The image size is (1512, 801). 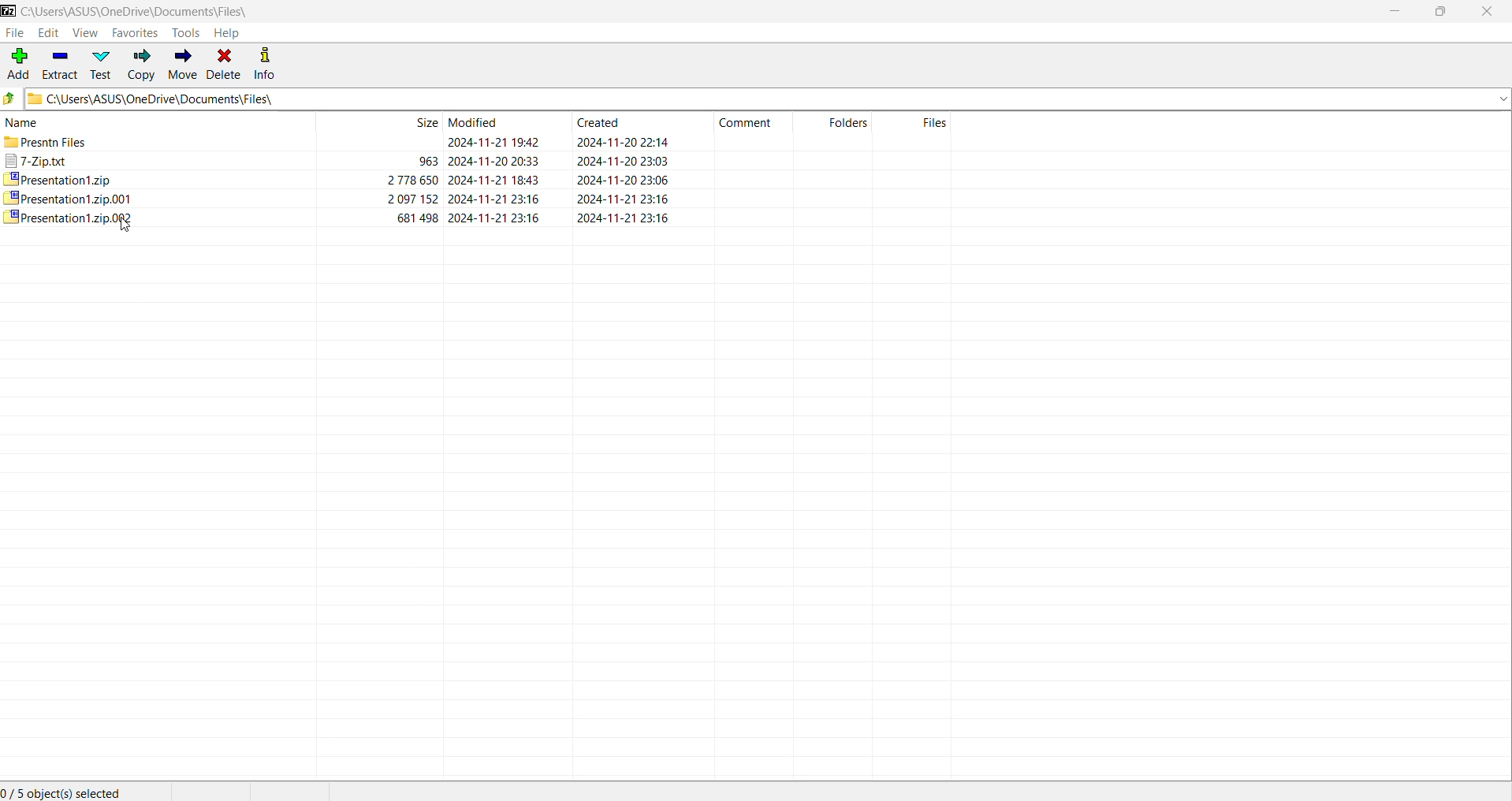 What do you see at coordinates (497, 161) in the screenshot?
I see `2024-11-20 20:33` at bounding box center [497, 161].